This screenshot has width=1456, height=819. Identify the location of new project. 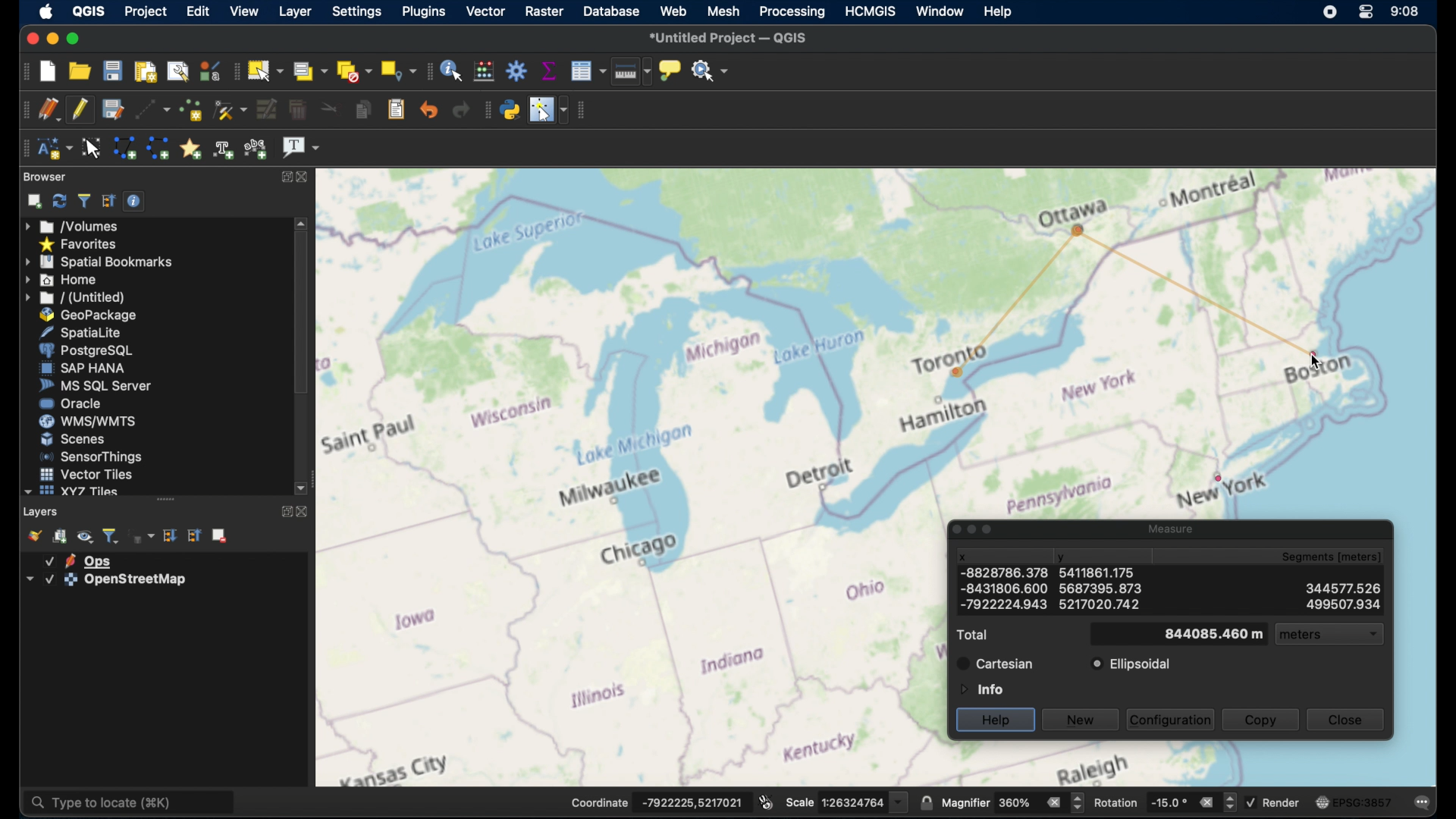
(49, 70).